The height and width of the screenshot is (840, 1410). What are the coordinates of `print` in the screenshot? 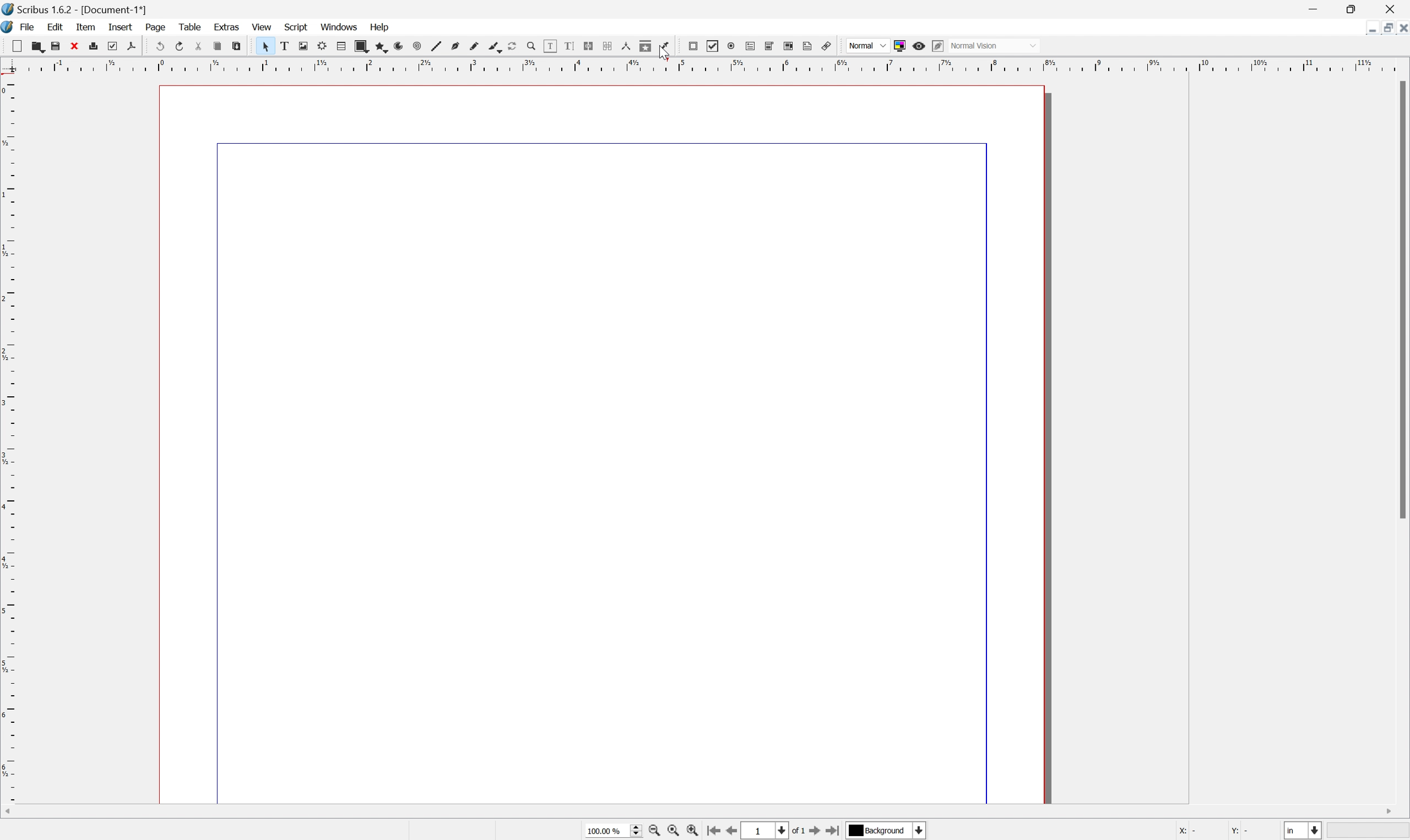 It's located at (93, 47).